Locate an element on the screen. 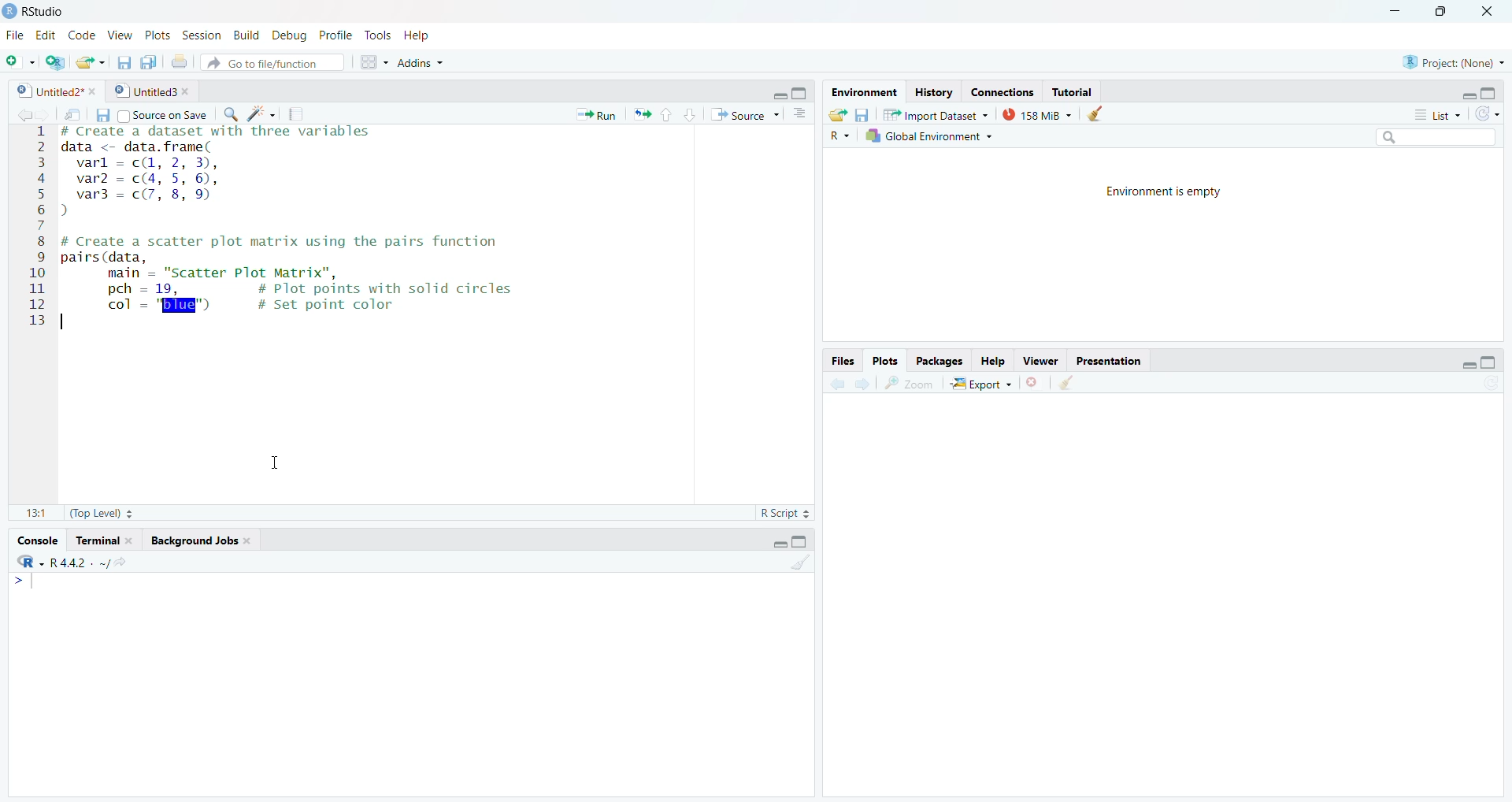   is located at coordinates (370, 284).